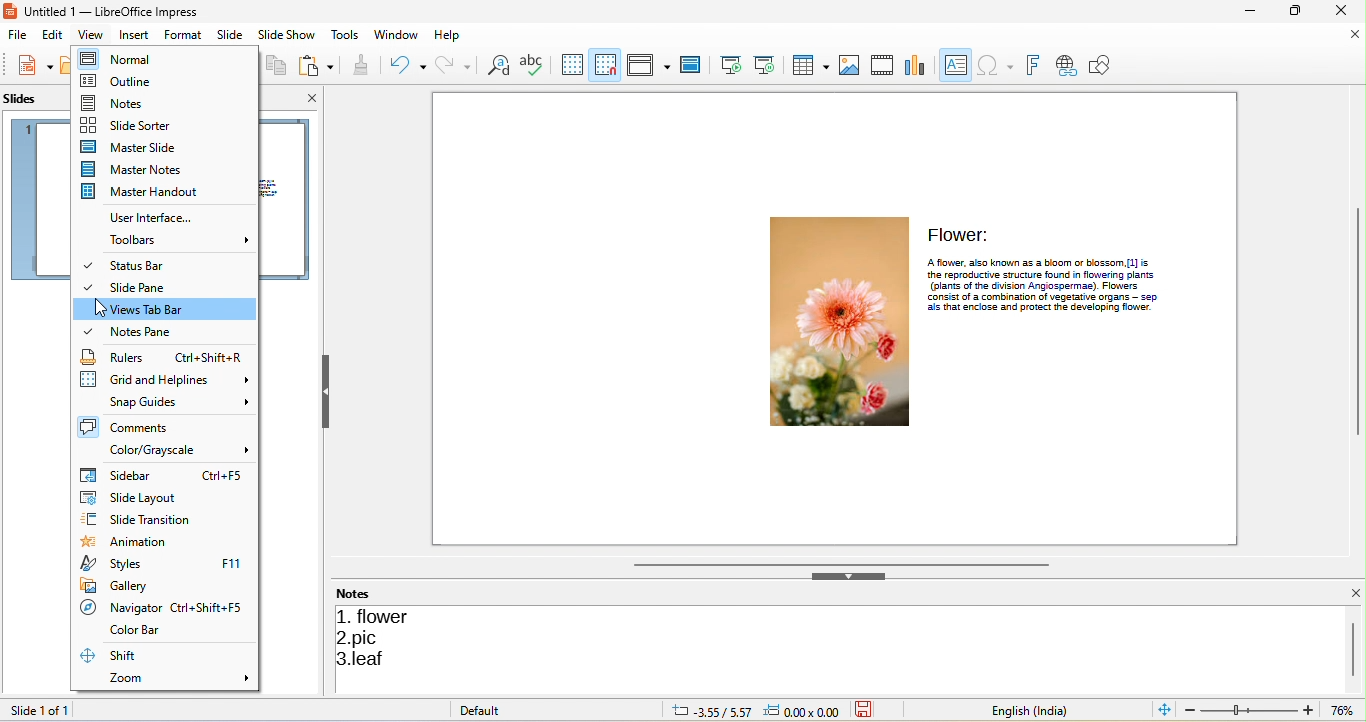 The image size is (1366, 722). What do you see at coordinates (47, 35) in the screenshot?
I see `edit` at bounding box center [47, 35].